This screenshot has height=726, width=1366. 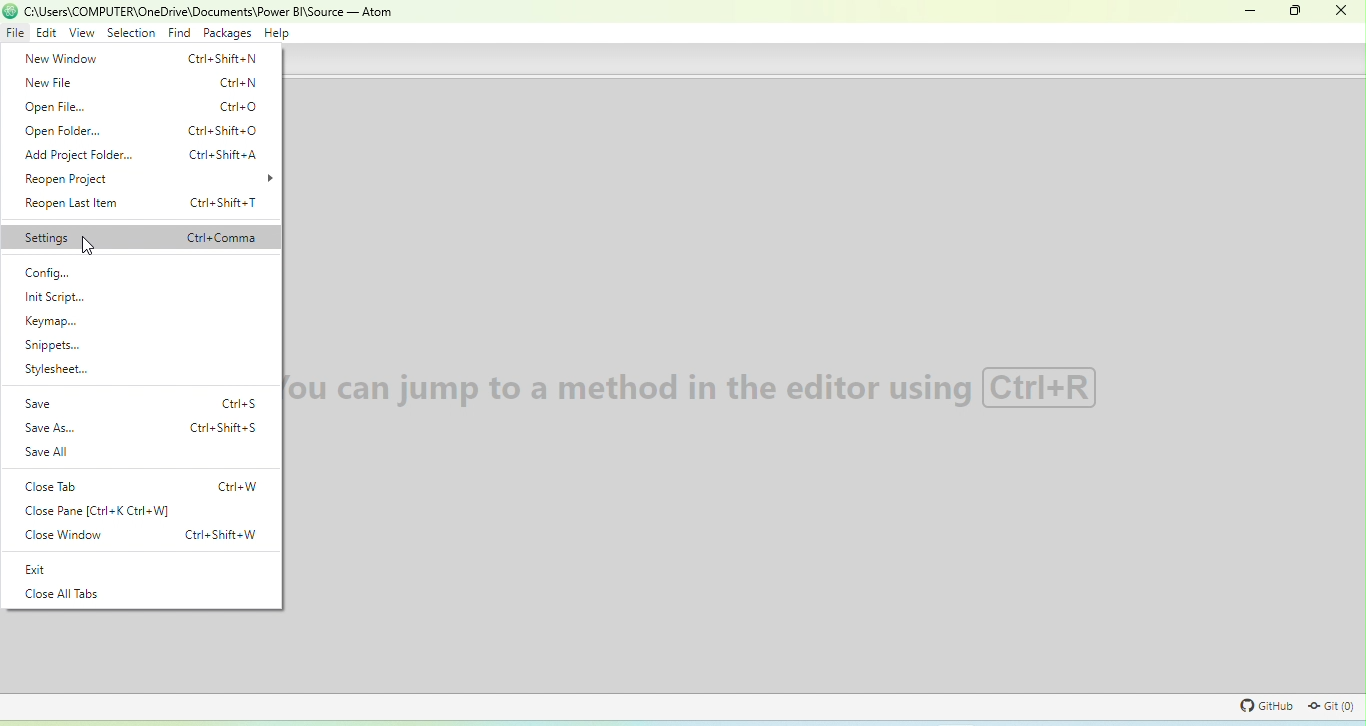 I want to click on add project folder, so click(x=144, y=155).